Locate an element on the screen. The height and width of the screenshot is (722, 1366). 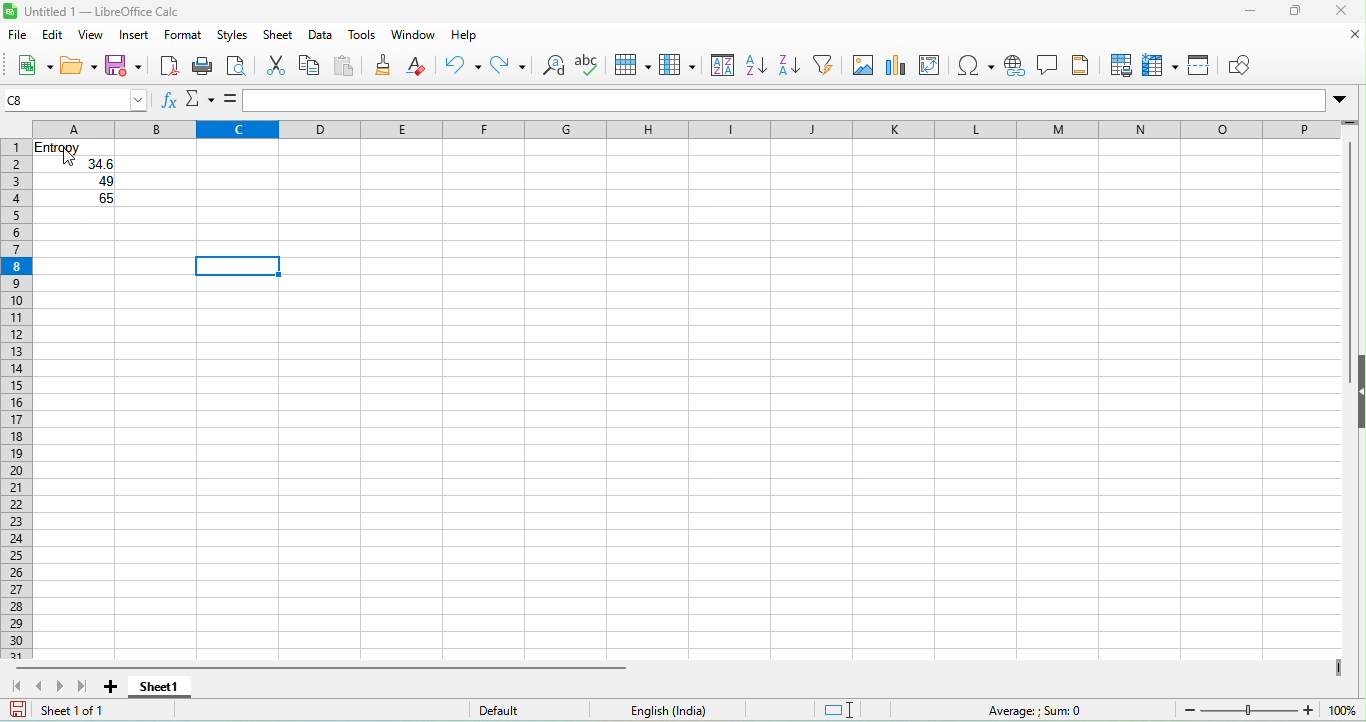
edit is located at coordinates (54, 37).